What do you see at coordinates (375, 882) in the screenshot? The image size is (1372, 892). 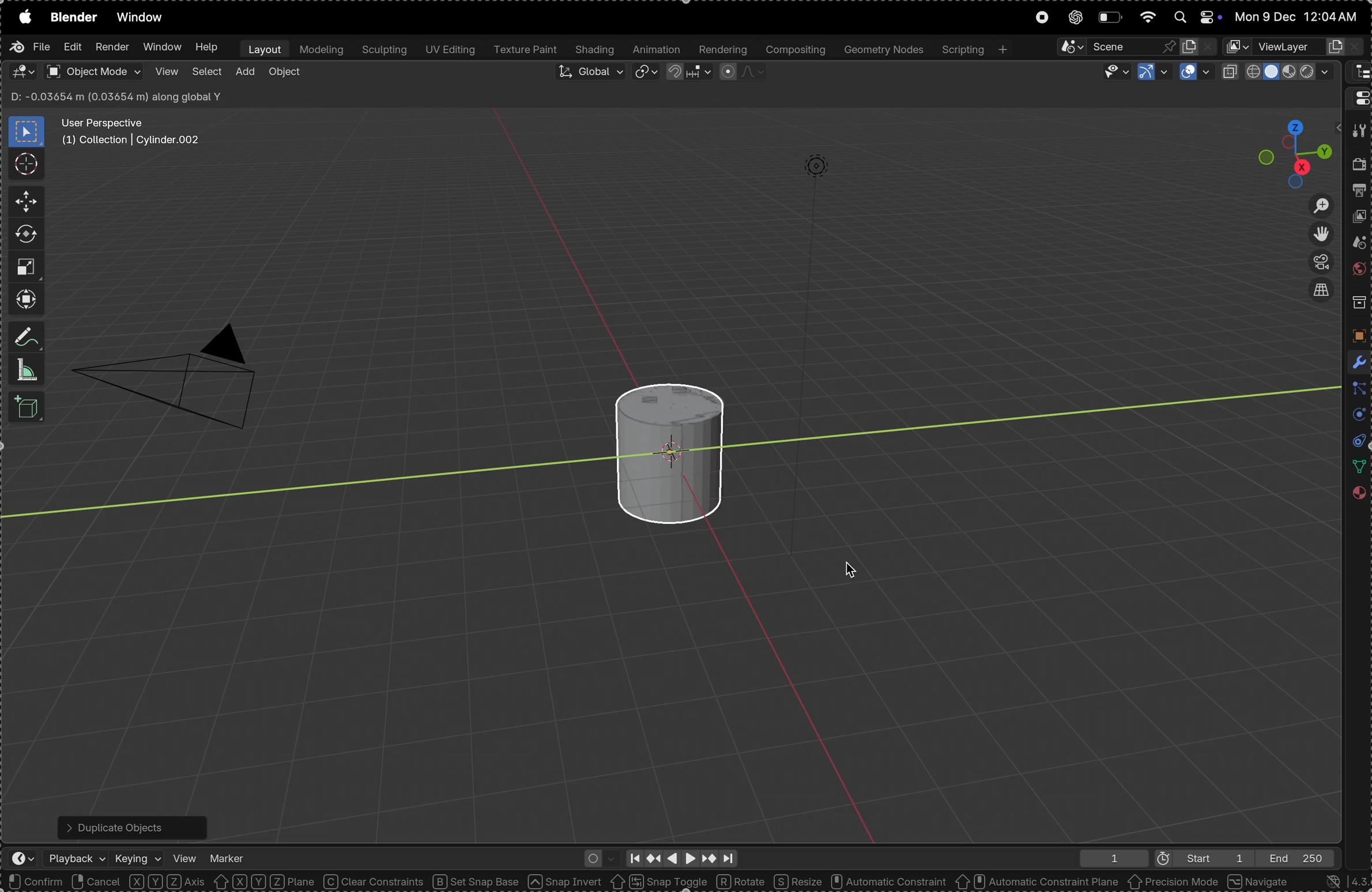 I see `clear constraints` at bounding box center [375, 882].